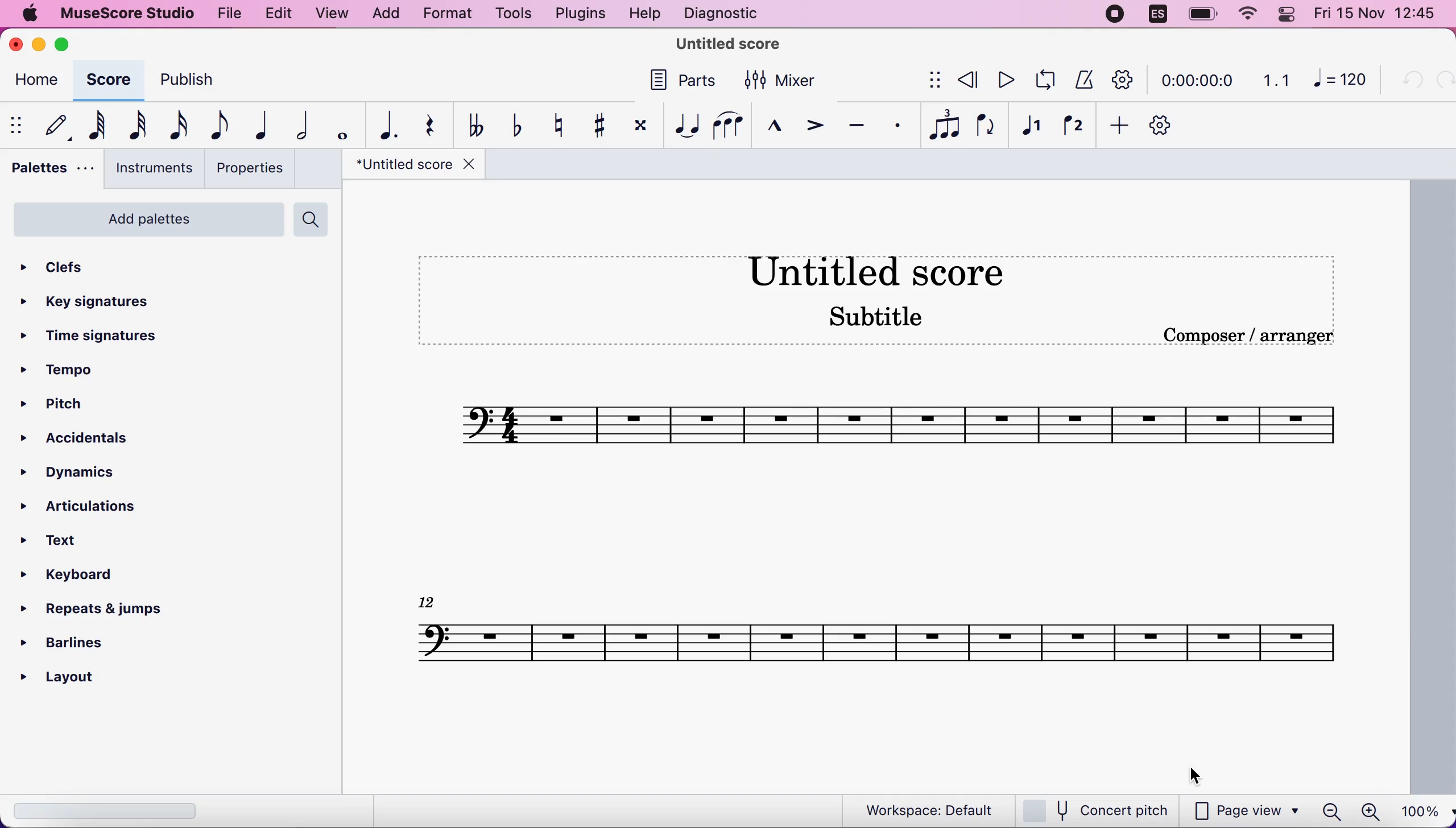 The width and height of the screenshot is (1456, 828). What do you see at coordinates (35, 82) in the screenshot?
I see `home` at bounding box center [35, 82].